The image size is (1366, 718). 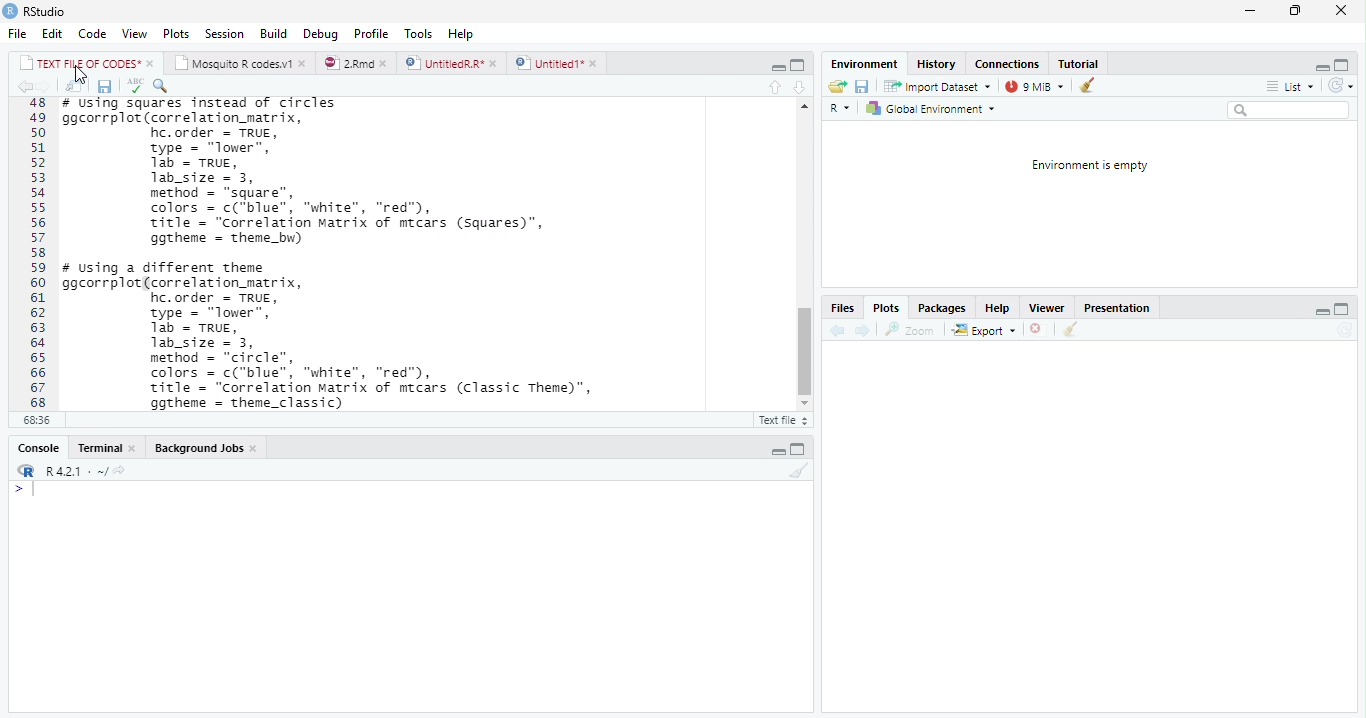 What do you see at coordinates (105, 447) in the screenshot?
I see `Terminal` at bounding box center [105, 447].